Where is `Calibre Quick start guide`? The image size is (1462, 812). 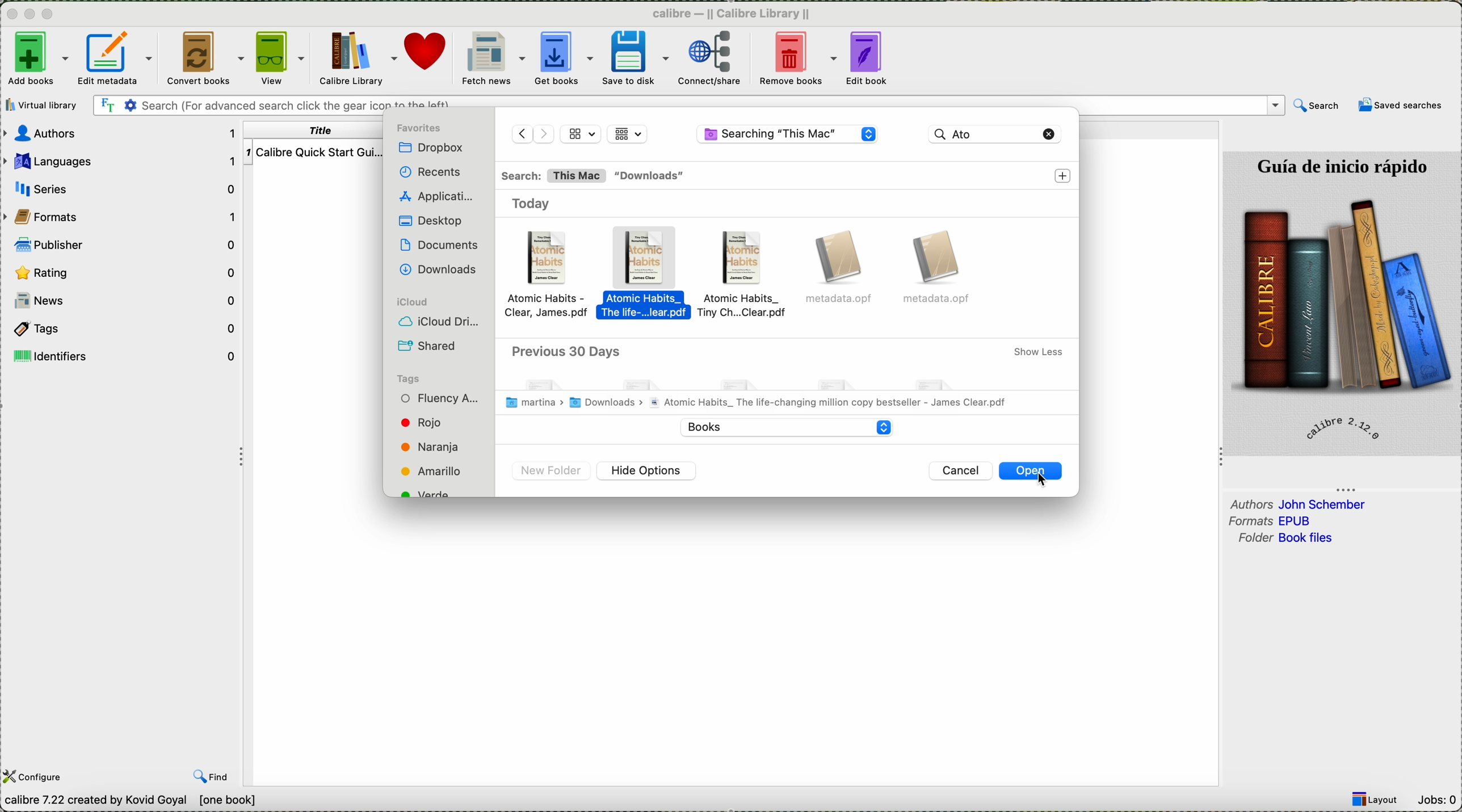 Calibre Quick start guide is located at coordinates (313, 152).